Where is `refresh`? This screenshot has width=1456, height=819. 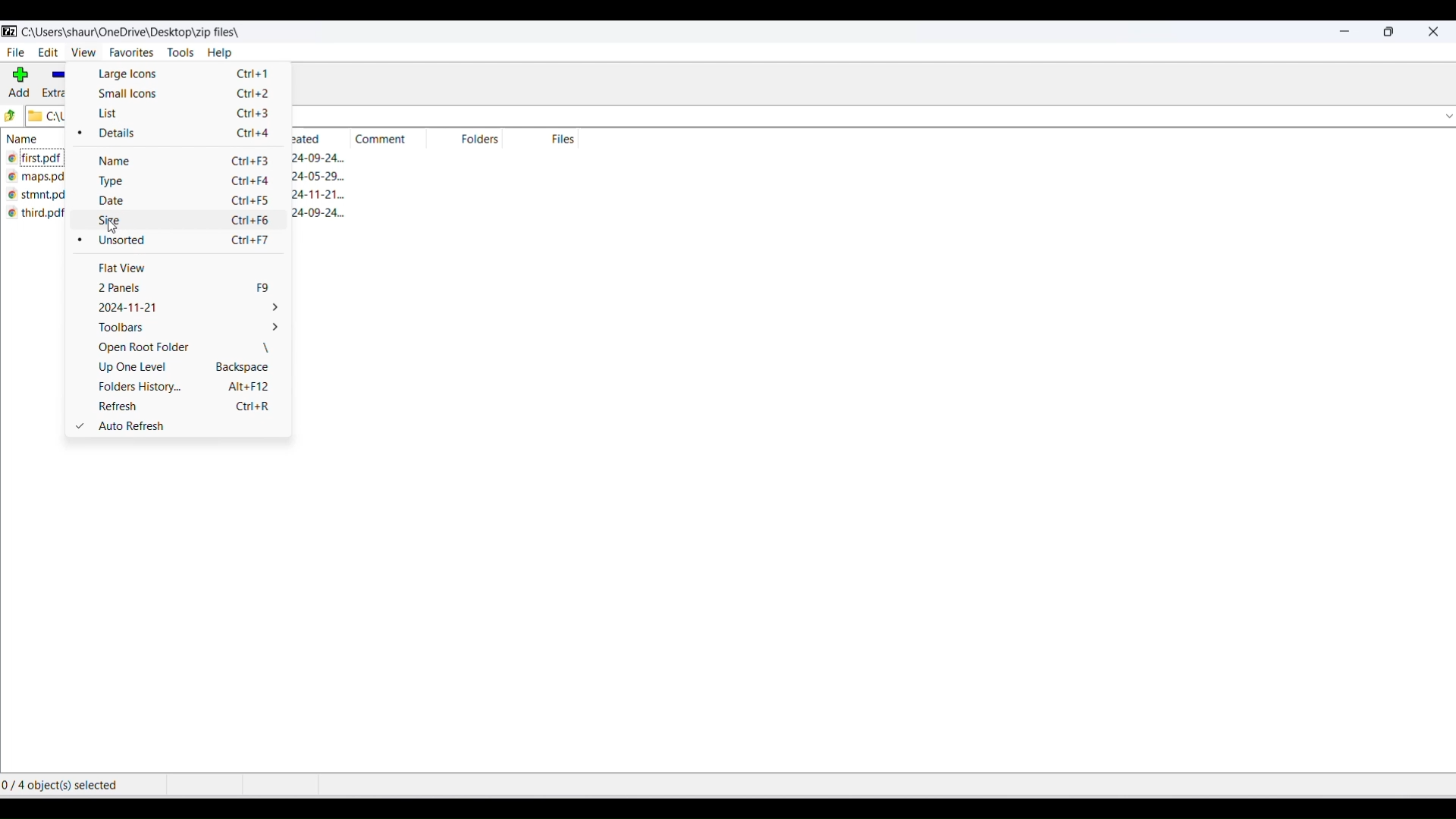 refresh is located at coordinates (188, 407).